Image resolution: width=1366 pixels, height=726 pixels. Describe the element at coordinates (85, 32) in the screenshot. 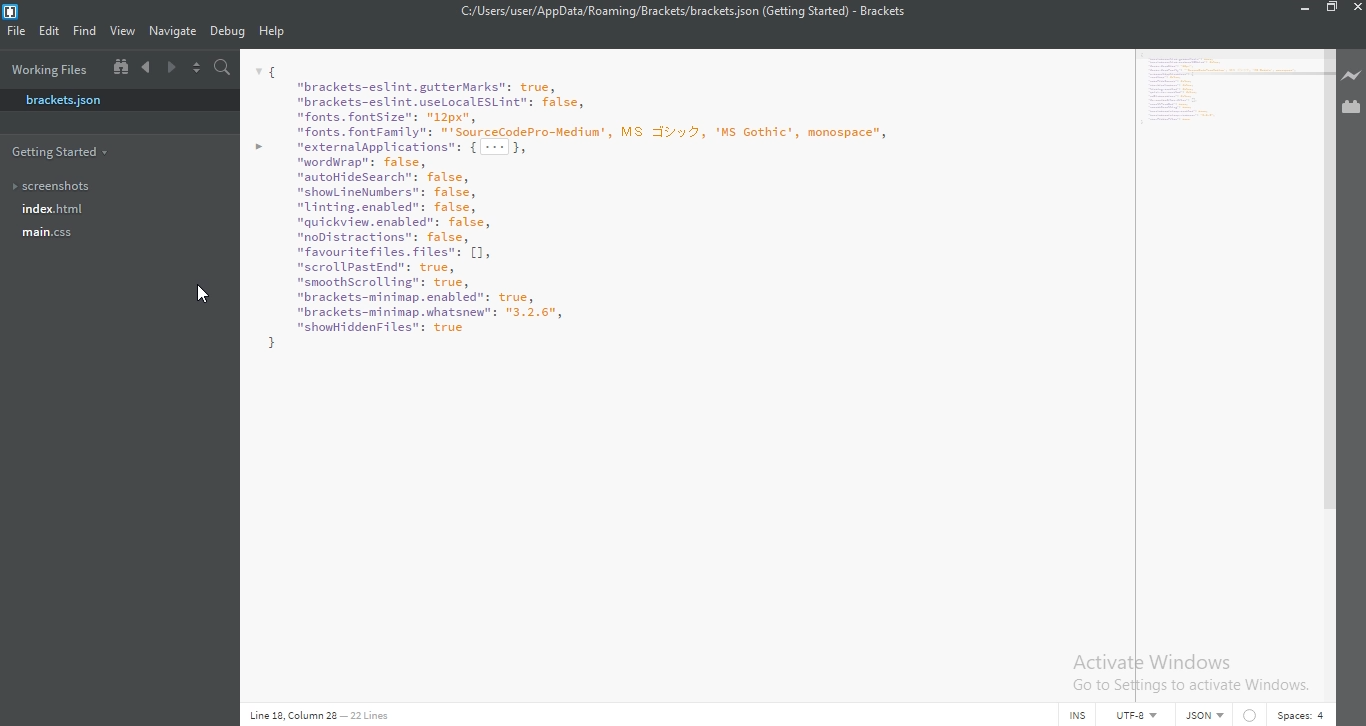

I see `Find` at that location.